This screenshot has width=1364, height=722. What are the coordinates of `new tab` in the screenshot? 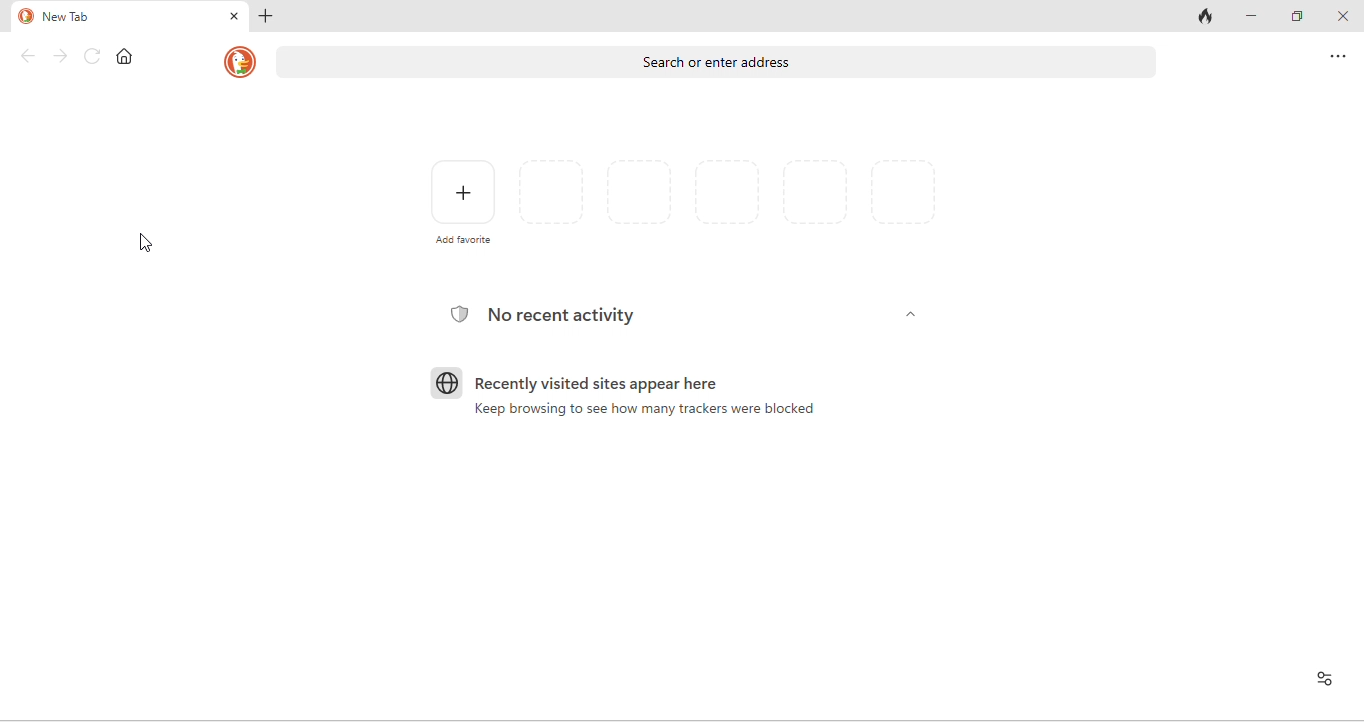 It's located at (68, 18).